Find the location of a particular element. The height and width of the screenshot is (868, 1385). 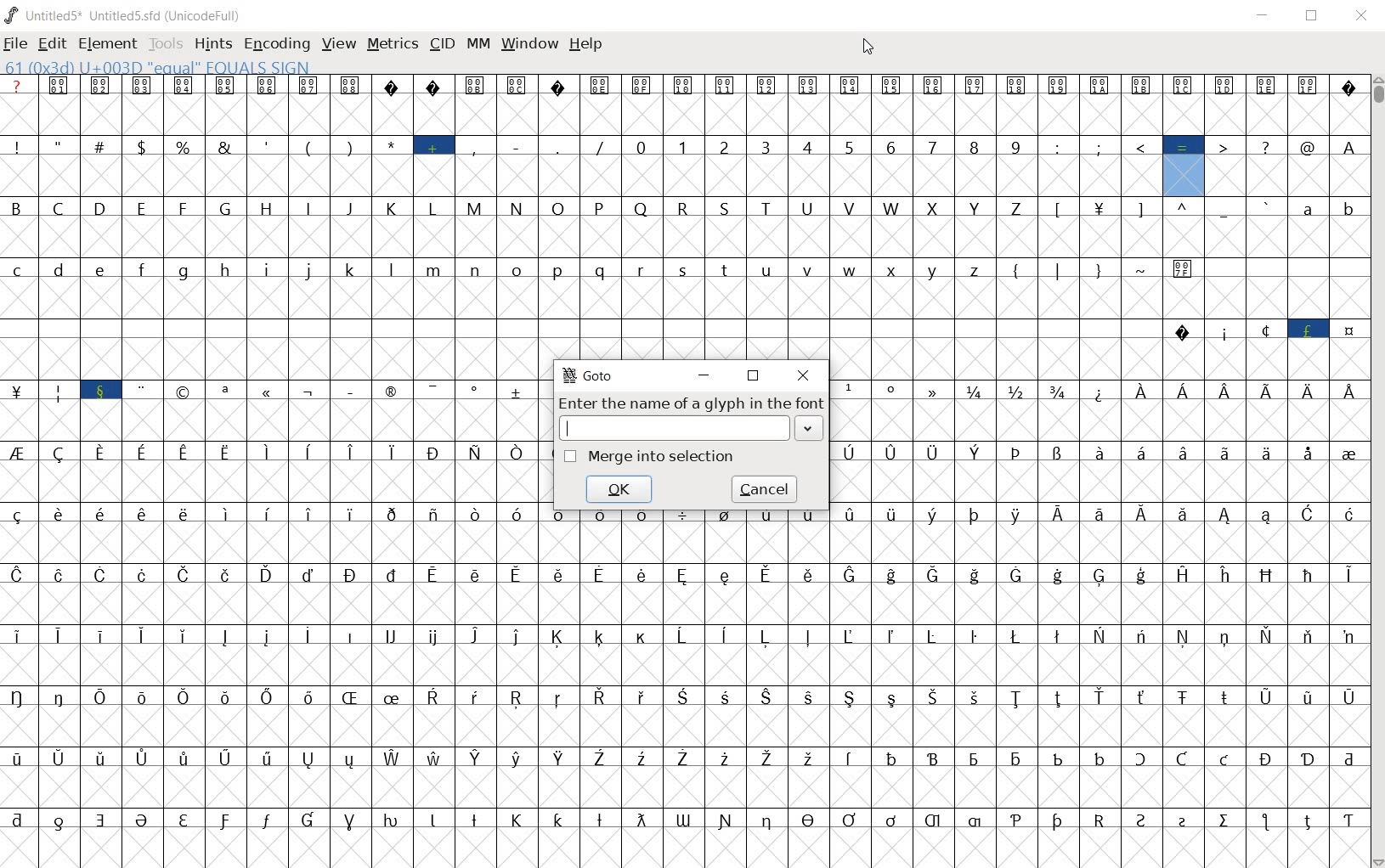

61 (0x3d) U+003D "equal" EQUALS SIGN is located at coordinates (159, 68).